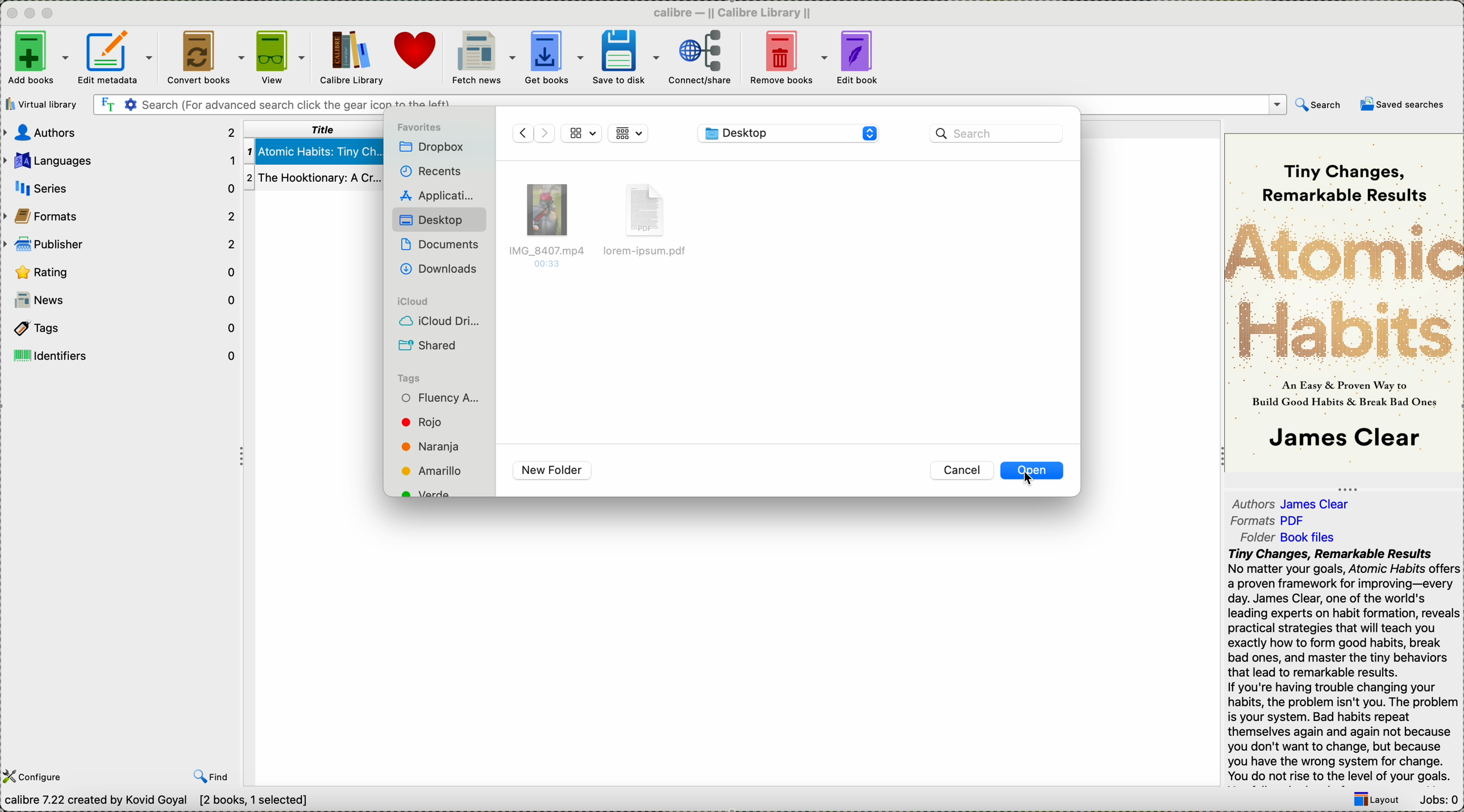  What do you see at coordinates (122, 216) in the screenshot?
I see `formats` at bounding box center [122, 216].